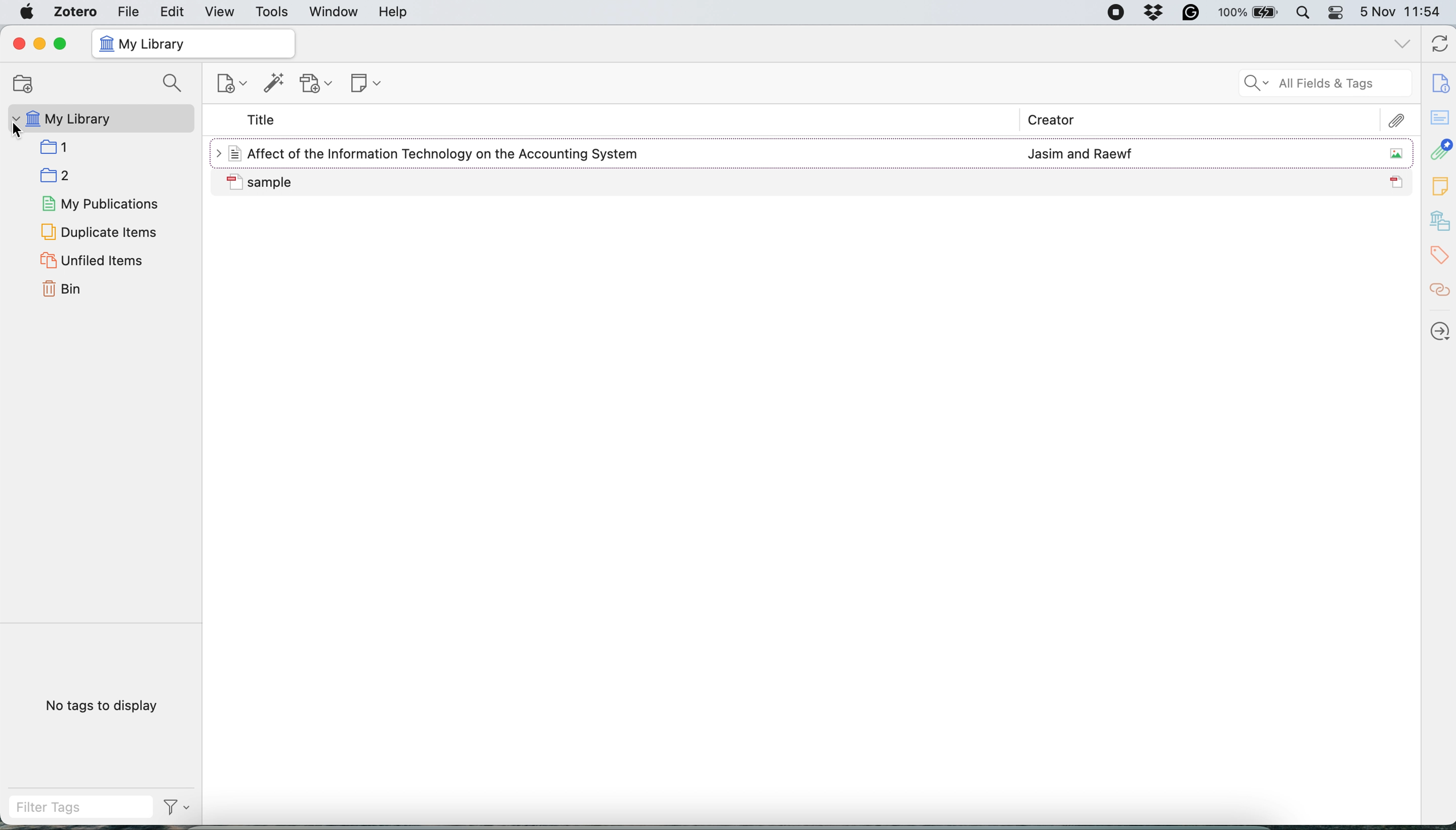 The height and width of the screenshot is (830, 1456). What do you see at coordinates (275, 81) in the screenshot?
I see `add item by identifier` at bounding box center [275, 81].